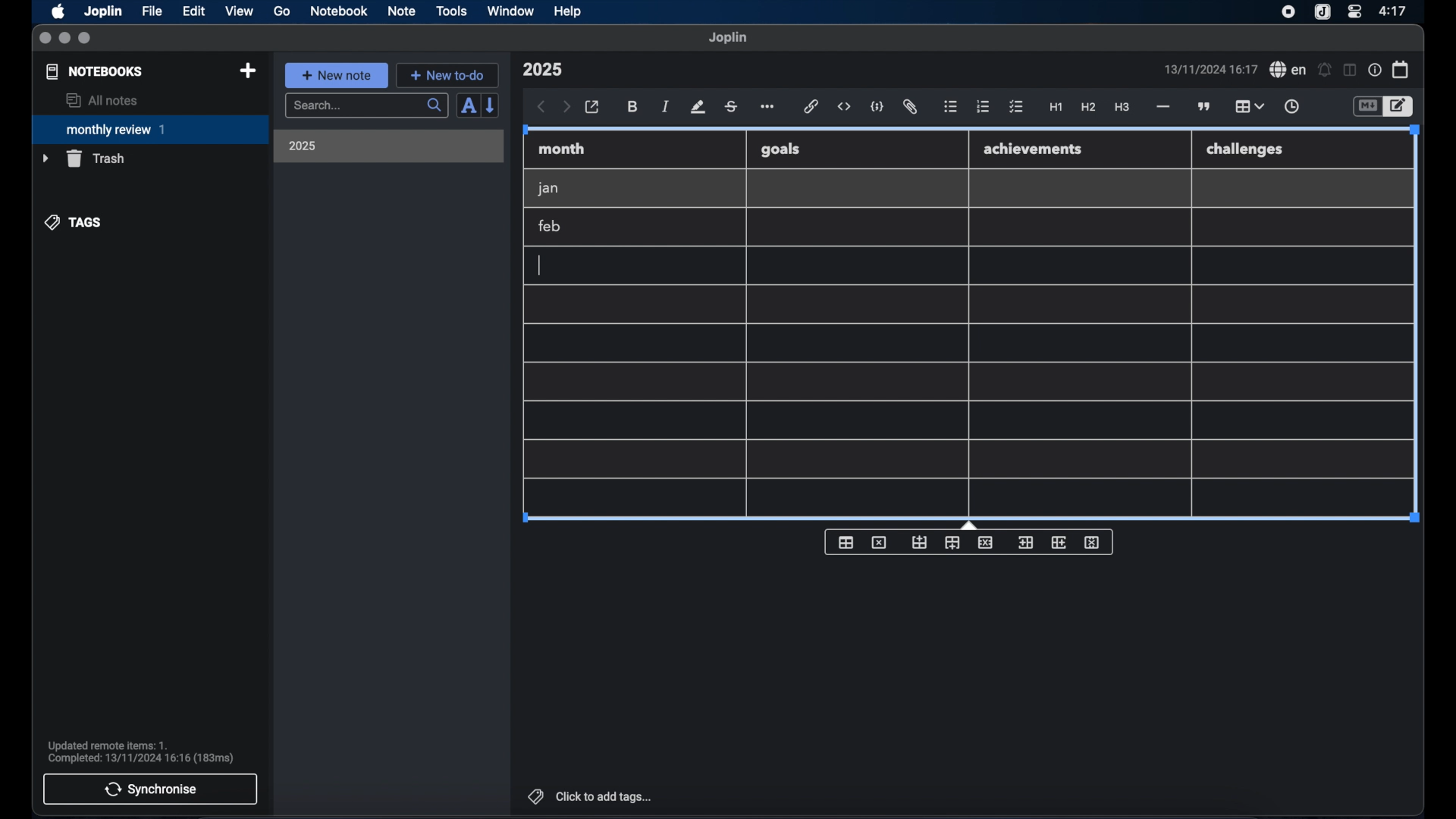  What do you see at coordinates (366, 107) in the screenshot?
I see `search bar` at bounding box center [366, 107].